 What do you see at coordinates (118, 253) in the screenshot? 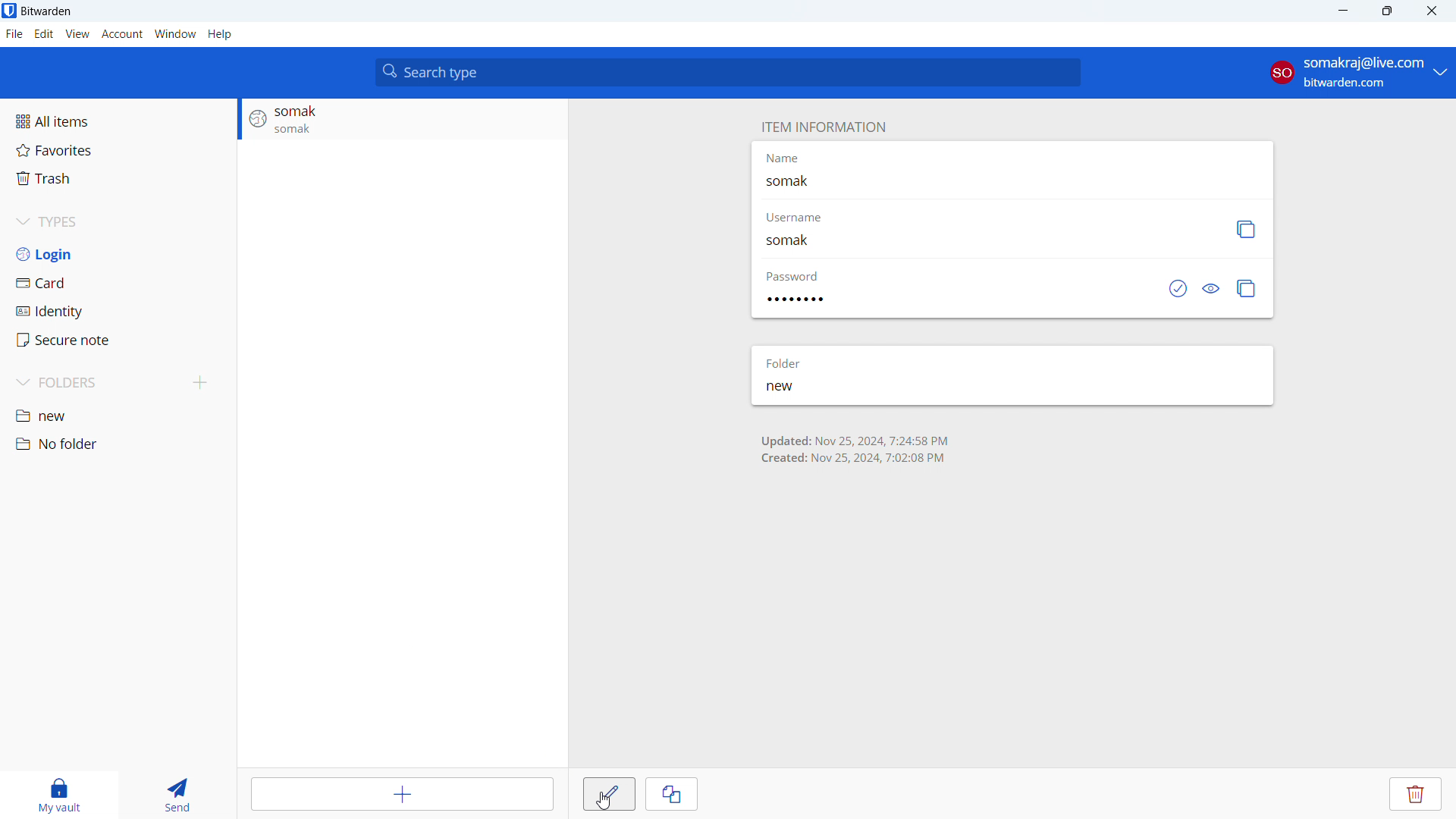
I see `login` at bounding box center [118, 253].